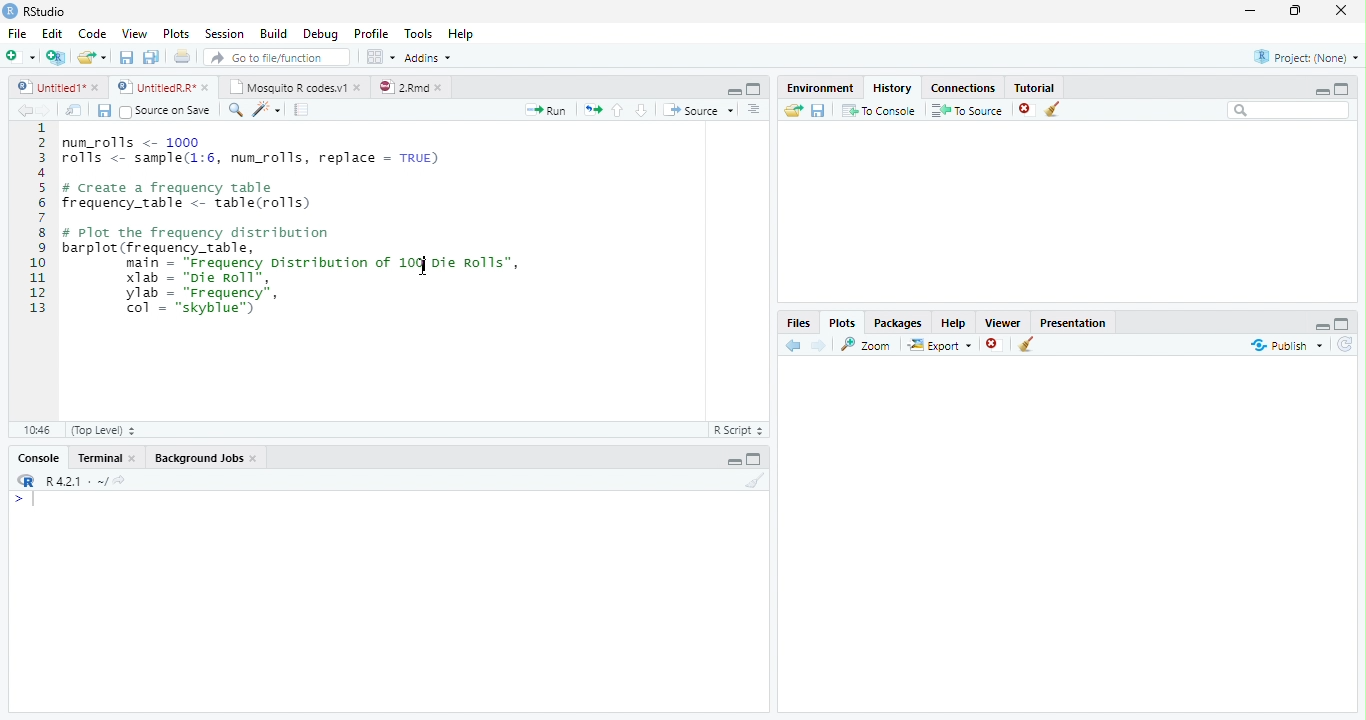  I want to click on Remove selected history, so click(1025, 109).